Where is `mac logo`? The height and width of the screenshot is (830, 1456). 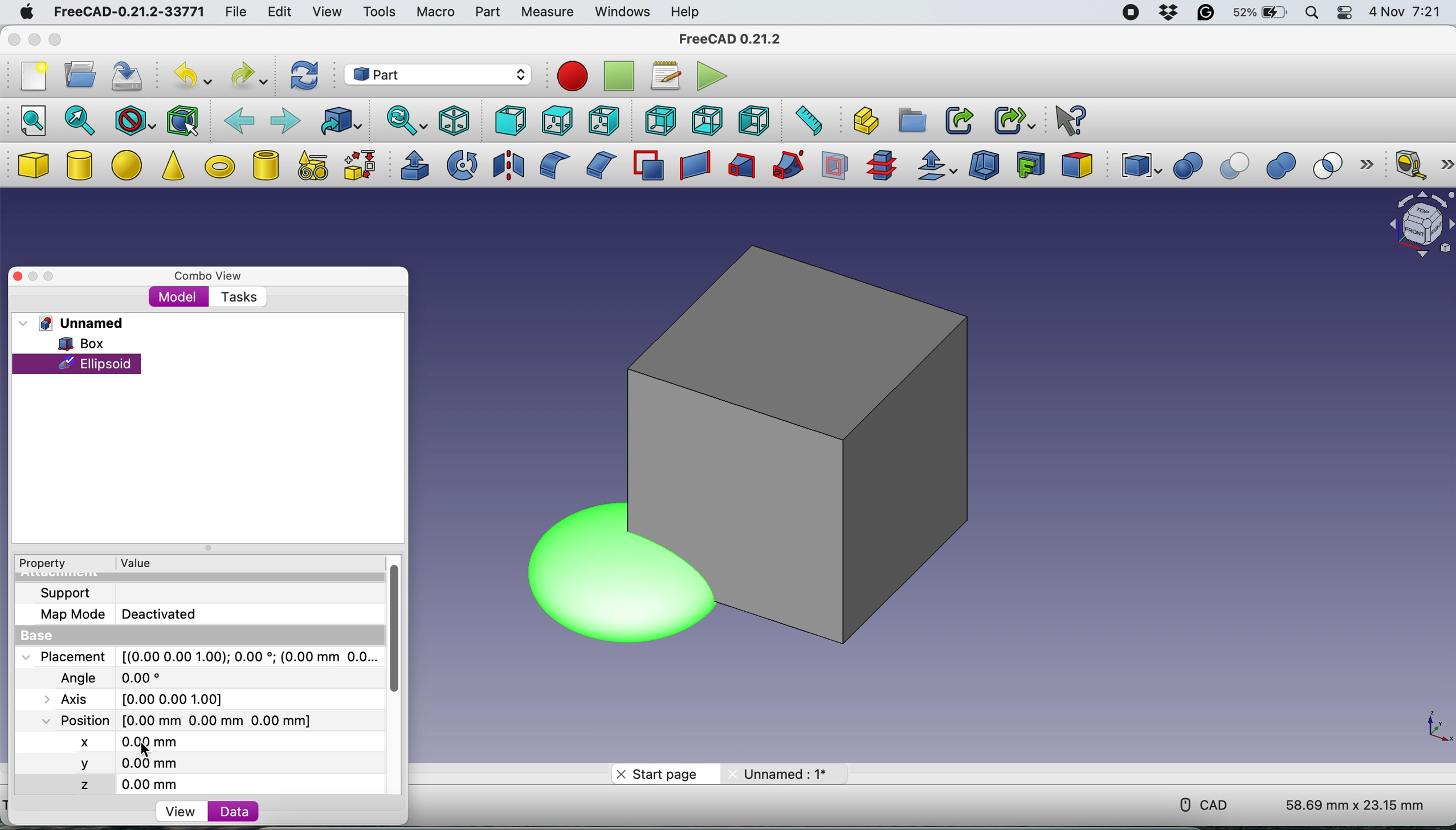 mac logo is located at coordinates (24, 13).